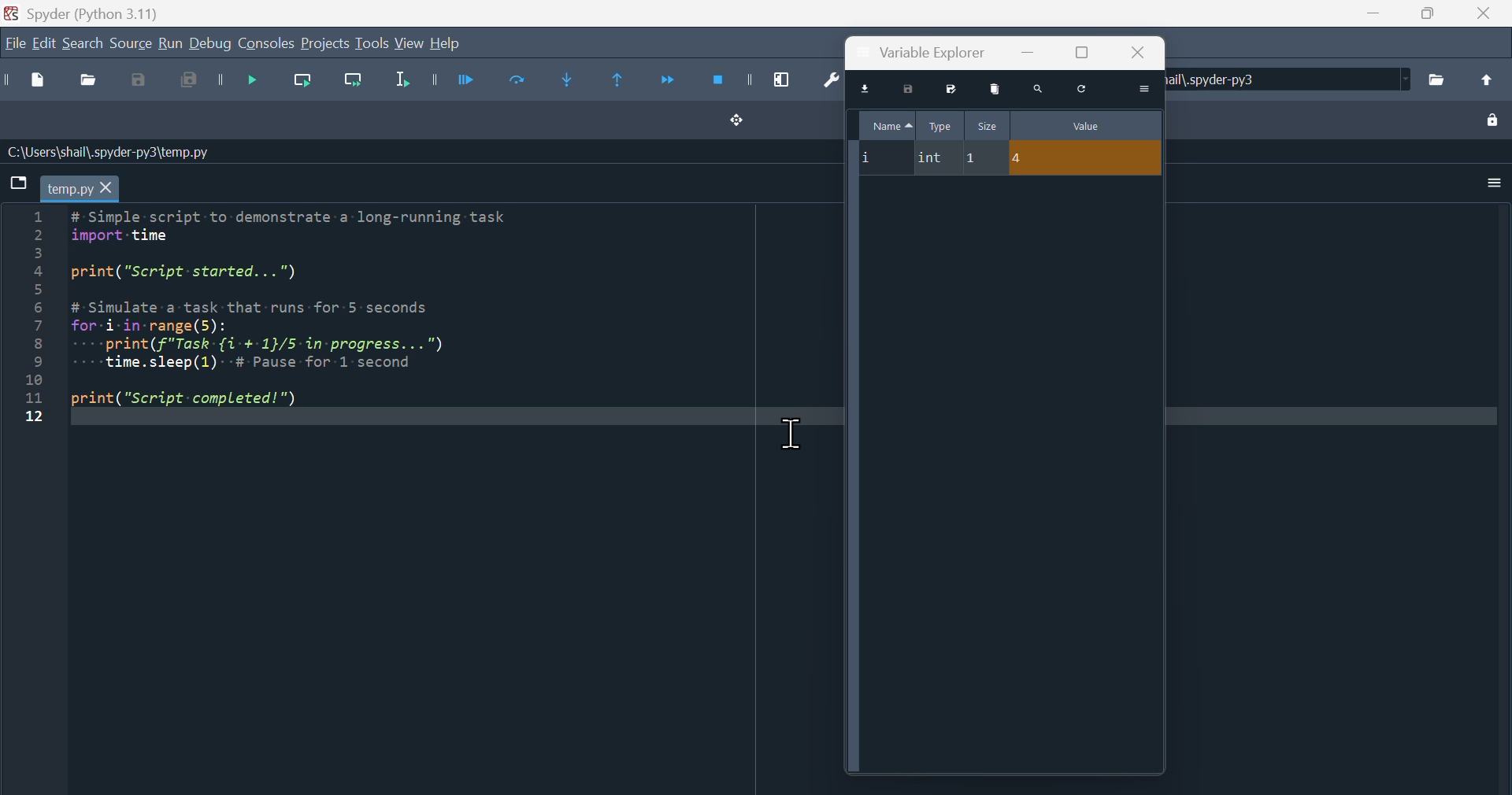 This screenshot has height=795, width=1512. What do you see at coordinates (169, 44) in the screenshot?
I see `run` at bounding box center [169, 44].